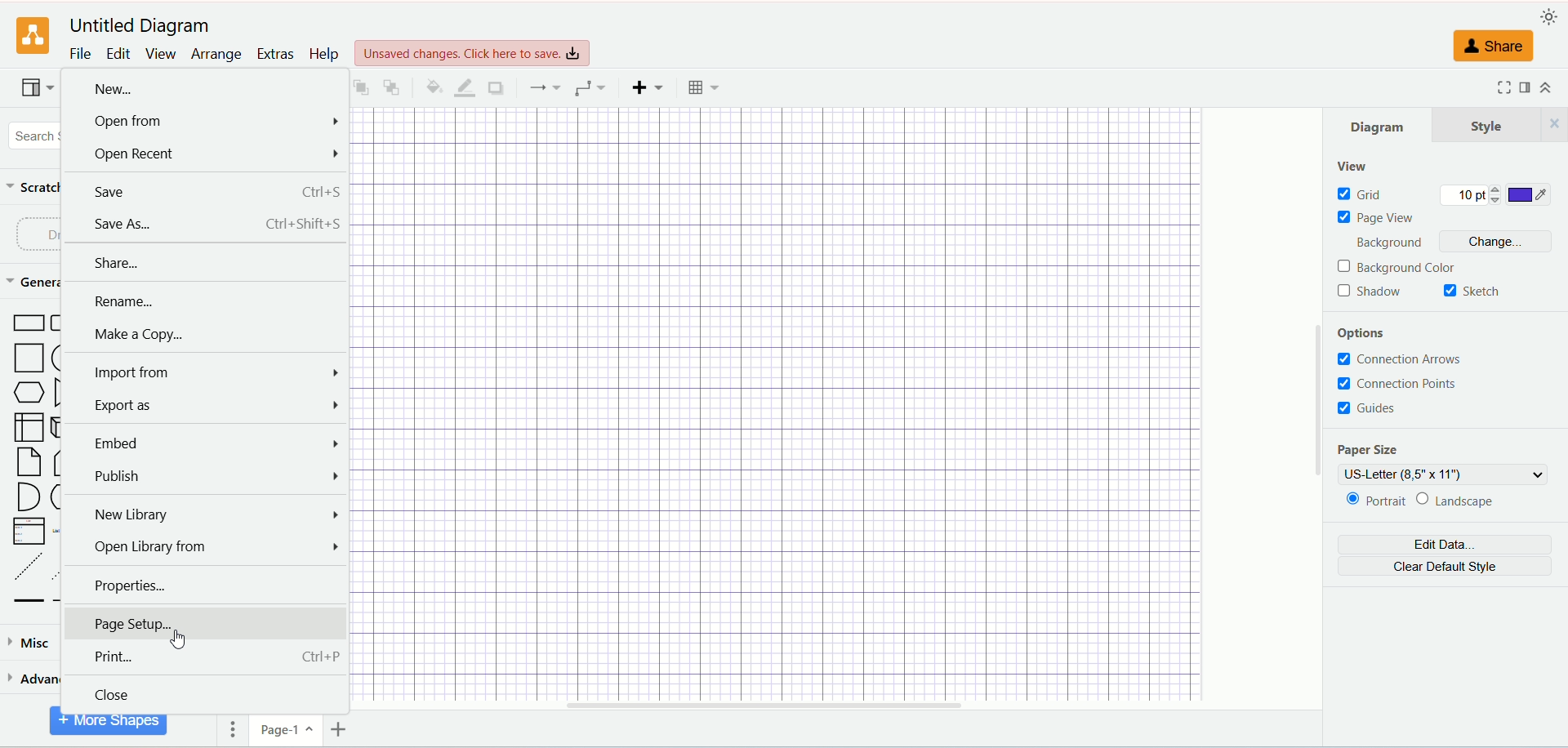 This screenshot has height=748, width=1568. I want to click on open recent, so click(203, 155).